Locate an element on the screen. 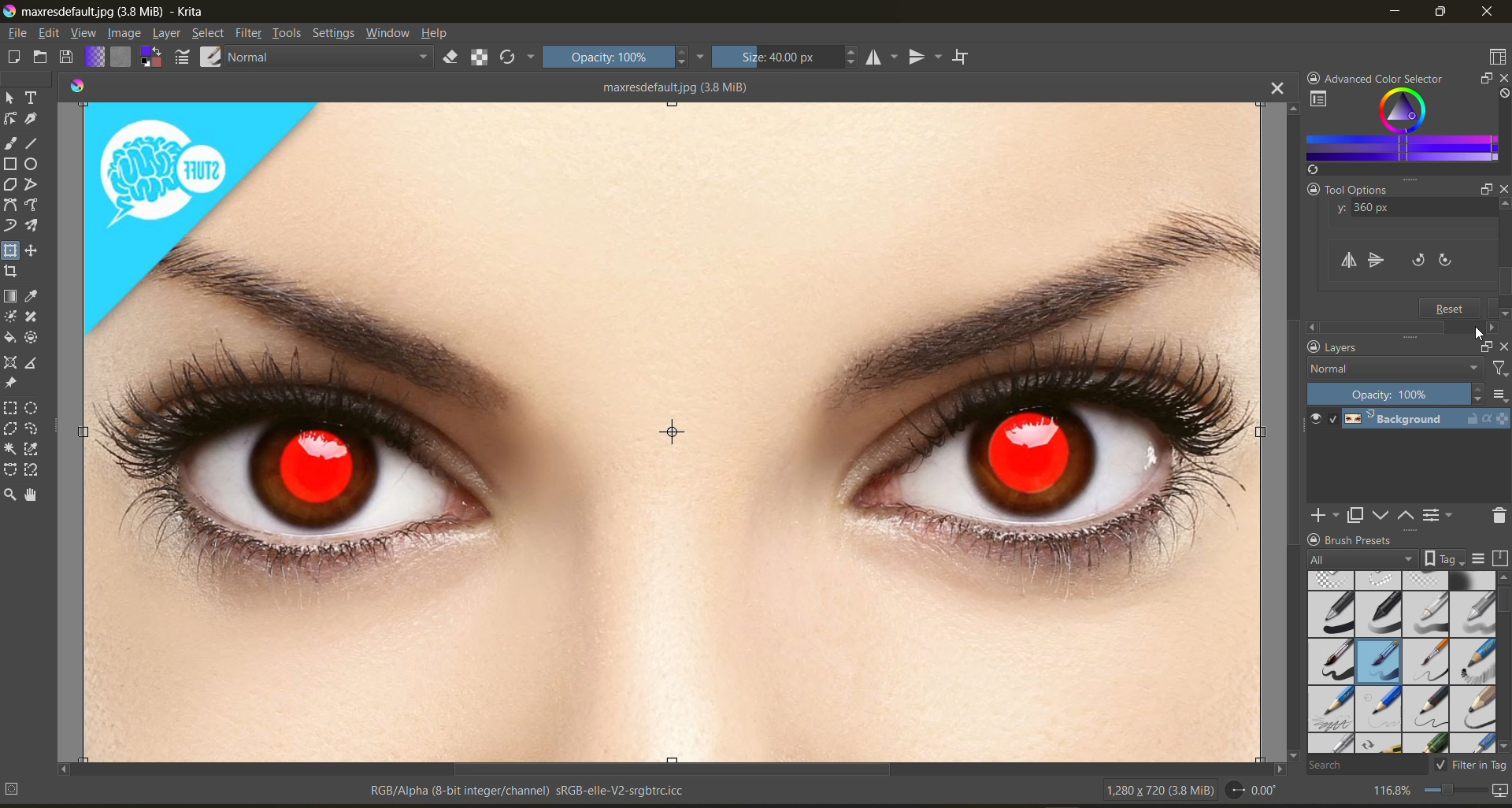  duplicate layer or mask is located at coordinates (1355, 514).